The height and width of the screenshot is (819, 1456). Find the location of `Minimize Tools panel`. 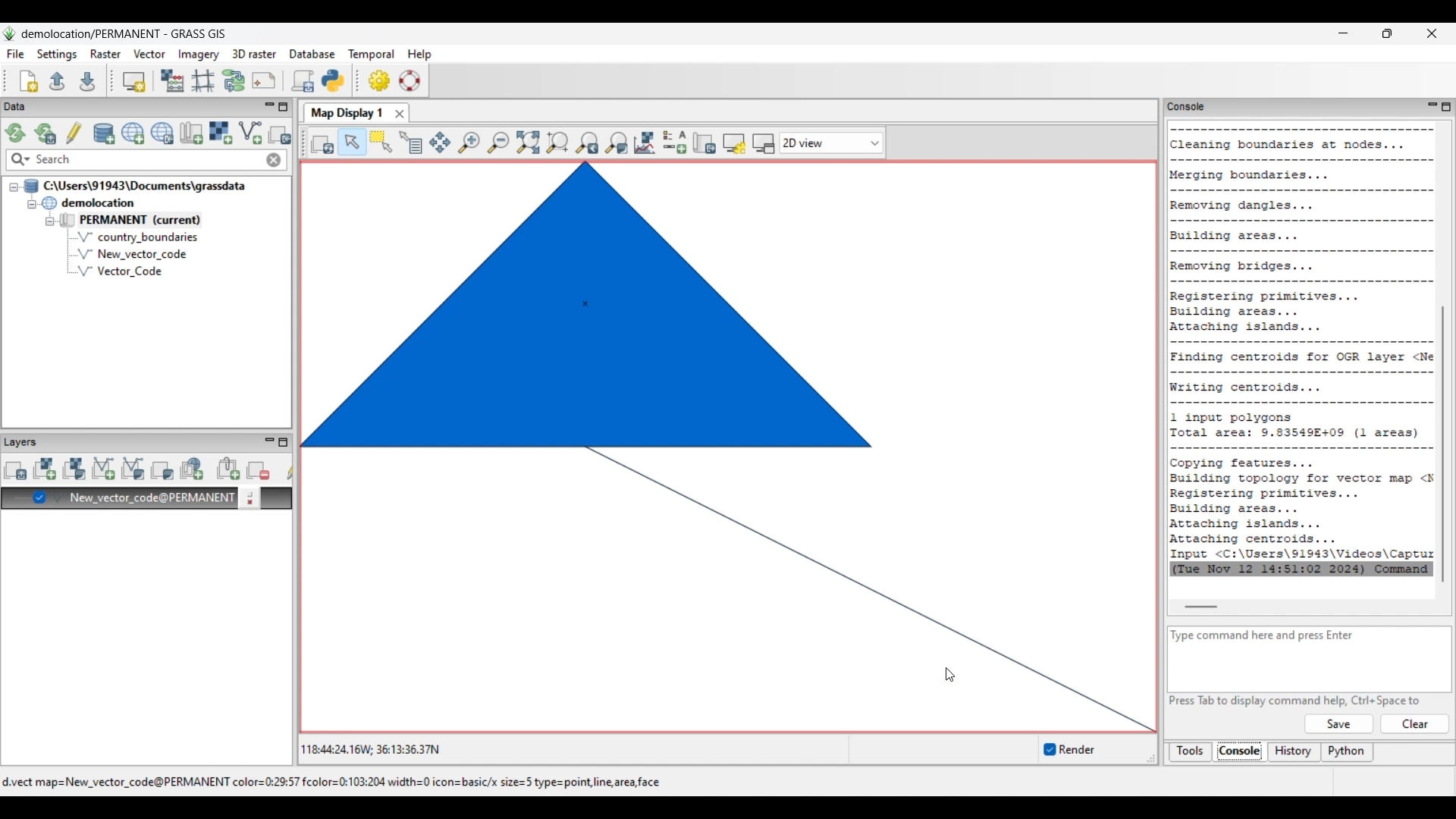

Minimize Tools panel is located at coordinates (1430, 106).